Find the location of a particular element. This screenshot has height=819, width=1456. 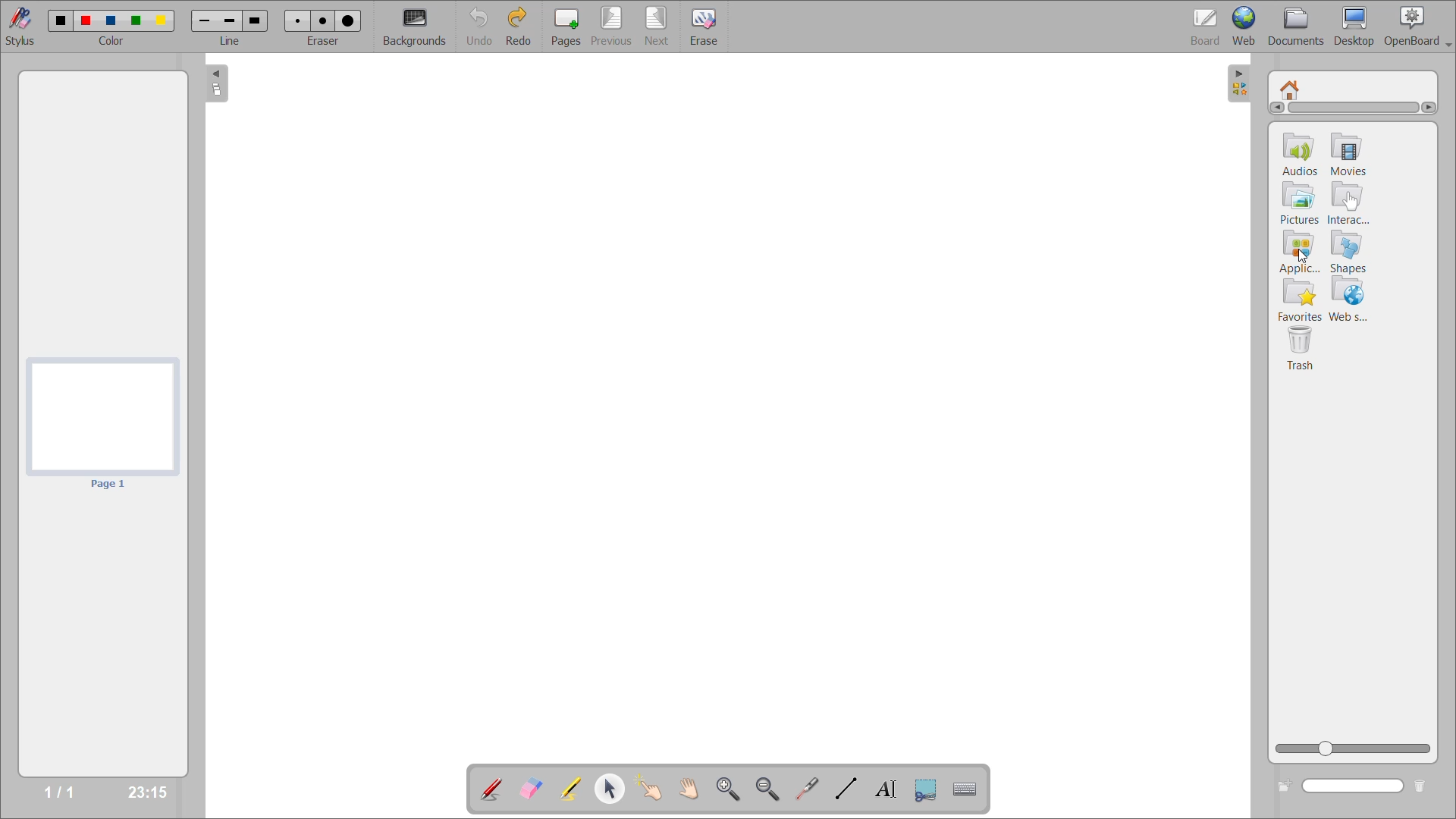

23:15 is located at coordinates (146, 791).